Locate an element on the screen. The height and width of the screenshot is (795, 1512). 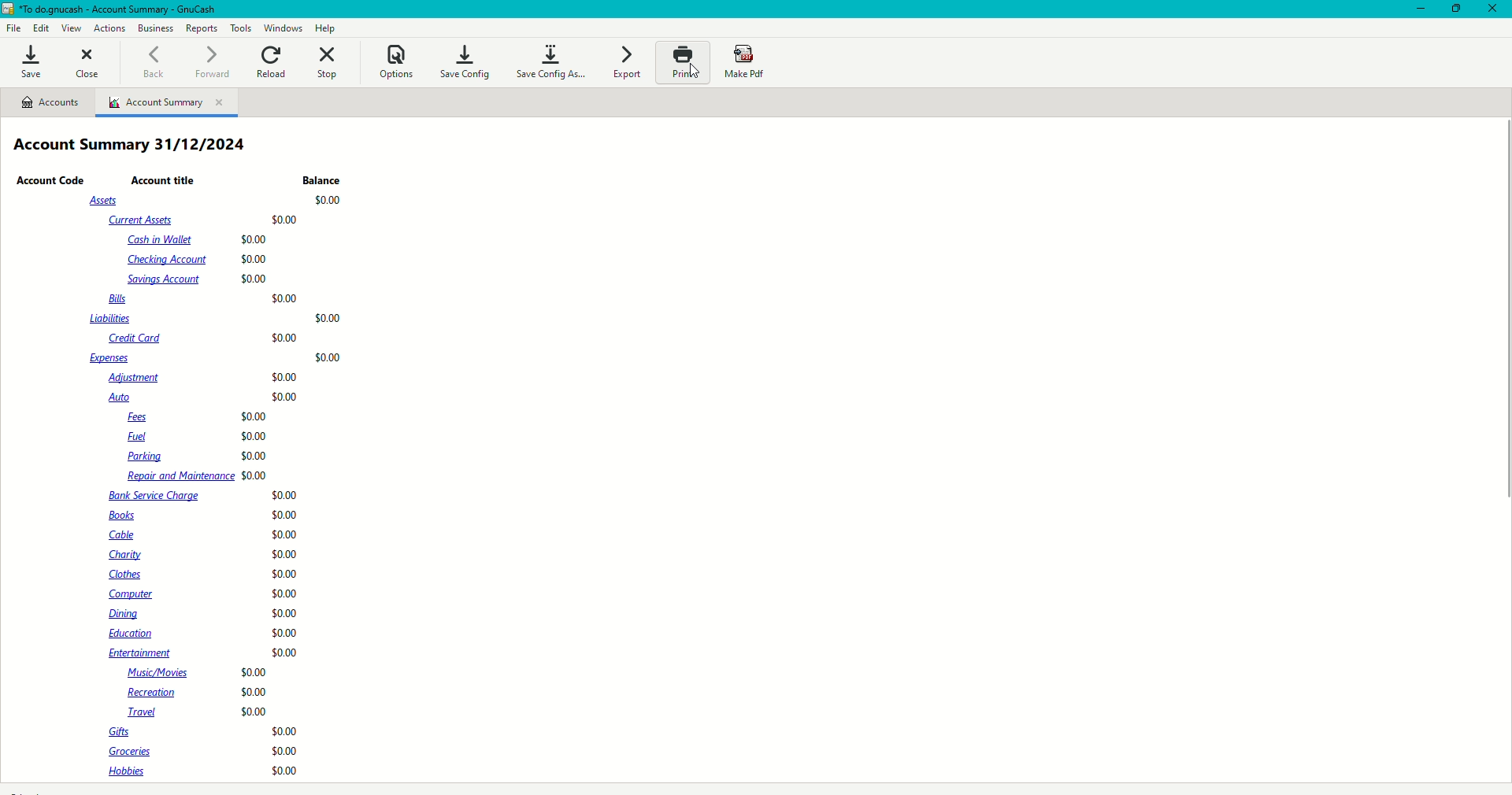
Account details is located at coordinates (210, 487).